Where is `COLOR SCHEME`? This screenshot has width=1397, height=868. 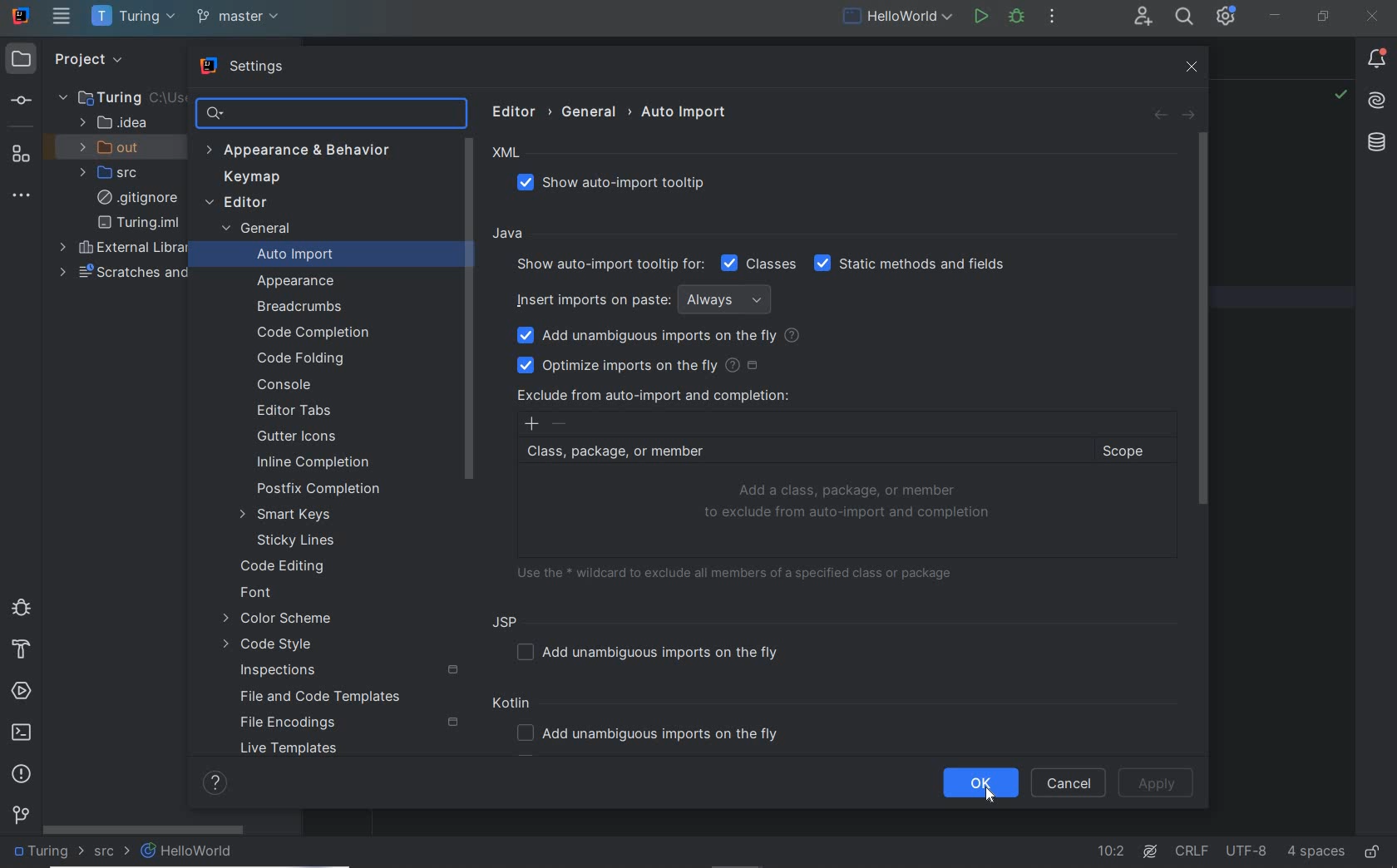
COLOR SCHEME is located at coordinates (277, 620).